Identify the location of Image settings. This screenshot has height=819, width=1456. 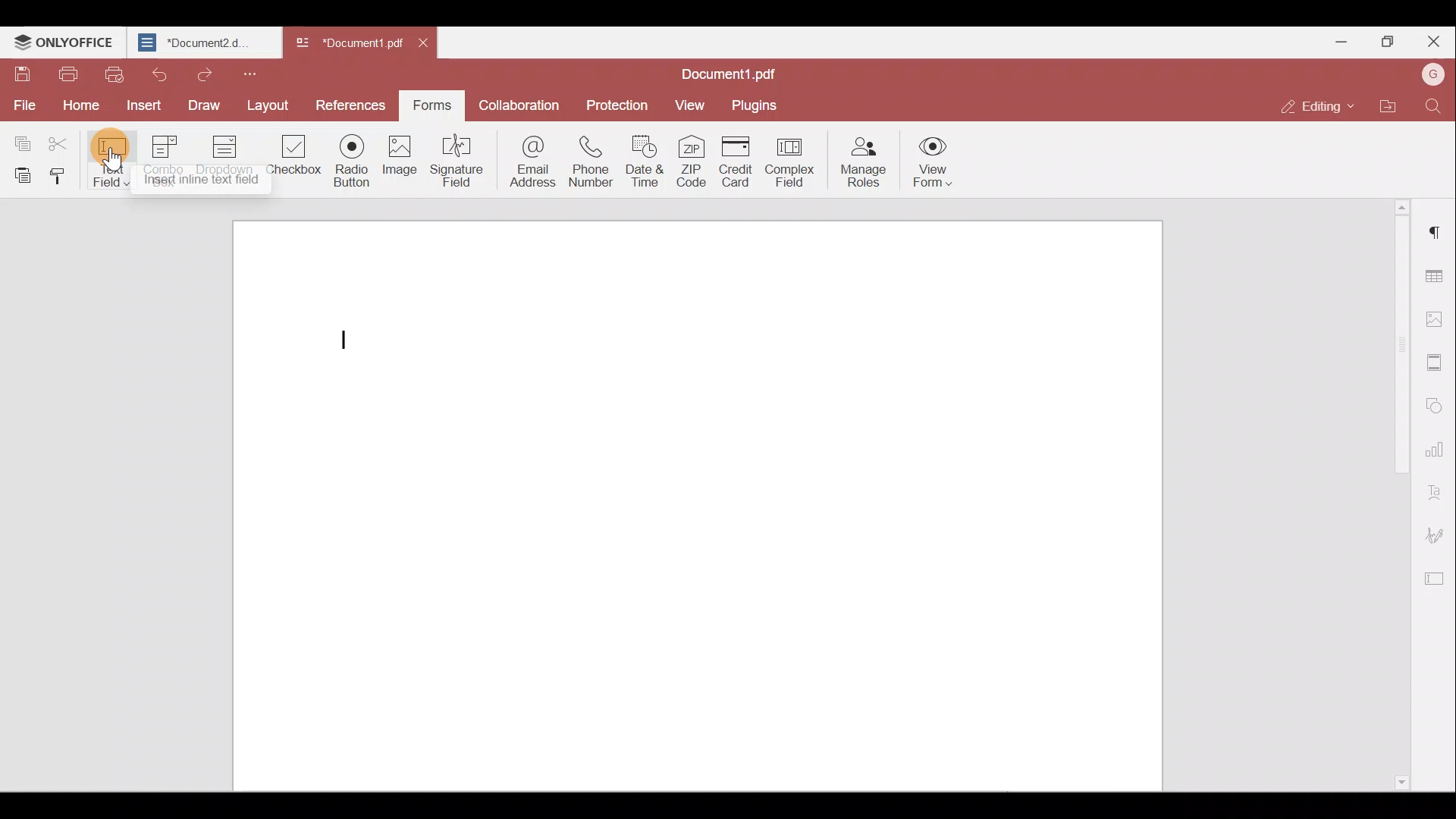
(1435, 318).